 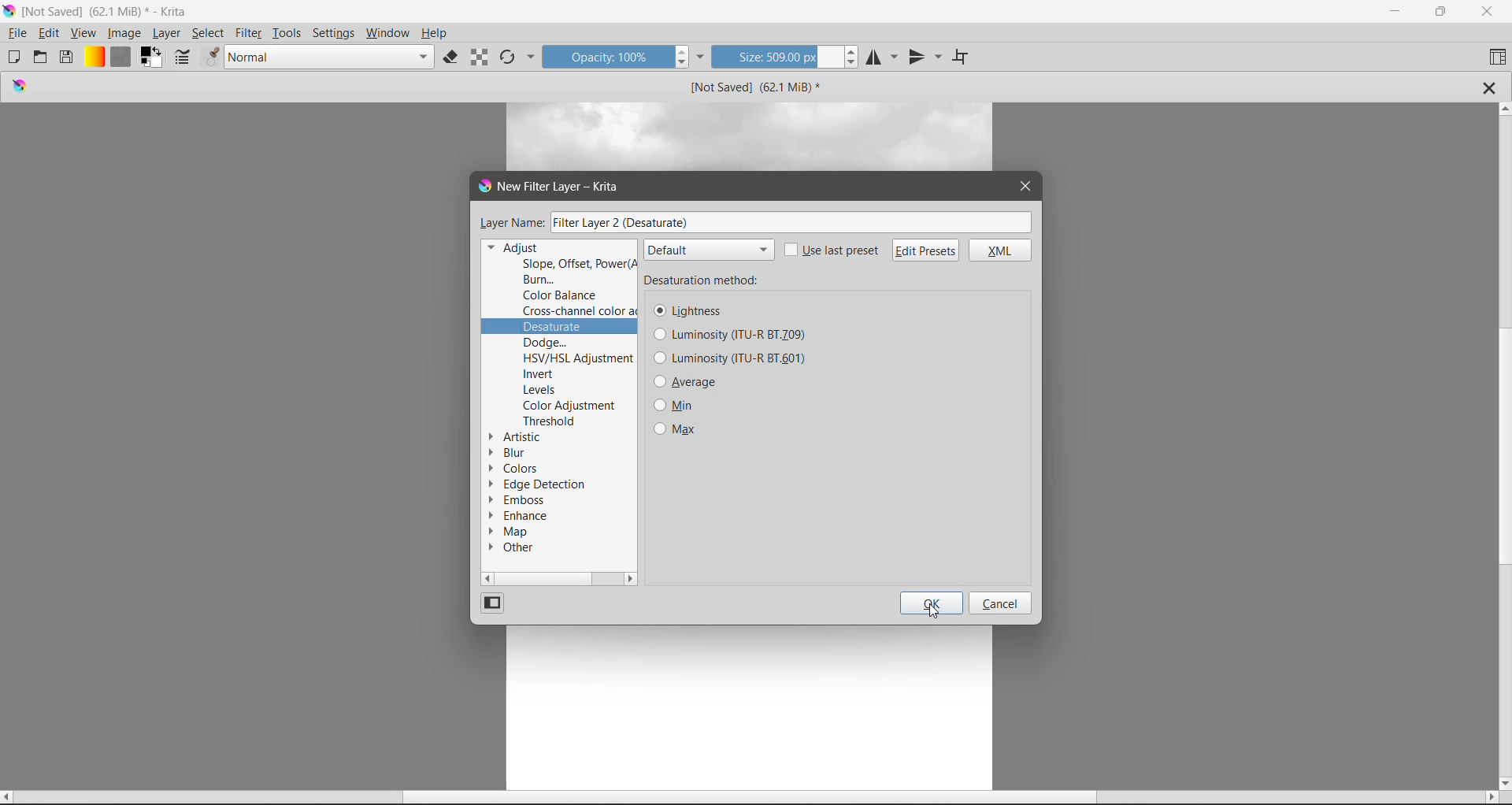 I want to click on Set eraser mode, so click(x=450, y=57).